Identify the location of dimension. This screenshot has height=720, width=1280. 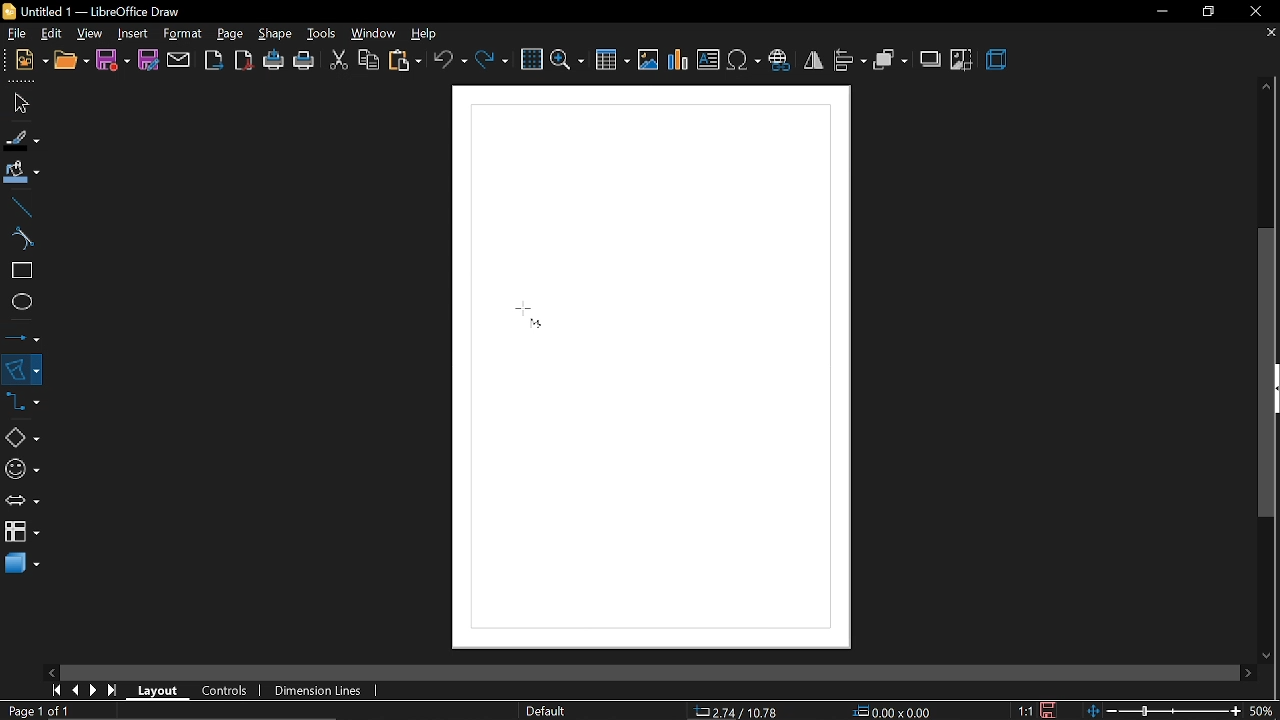
(320, 688).